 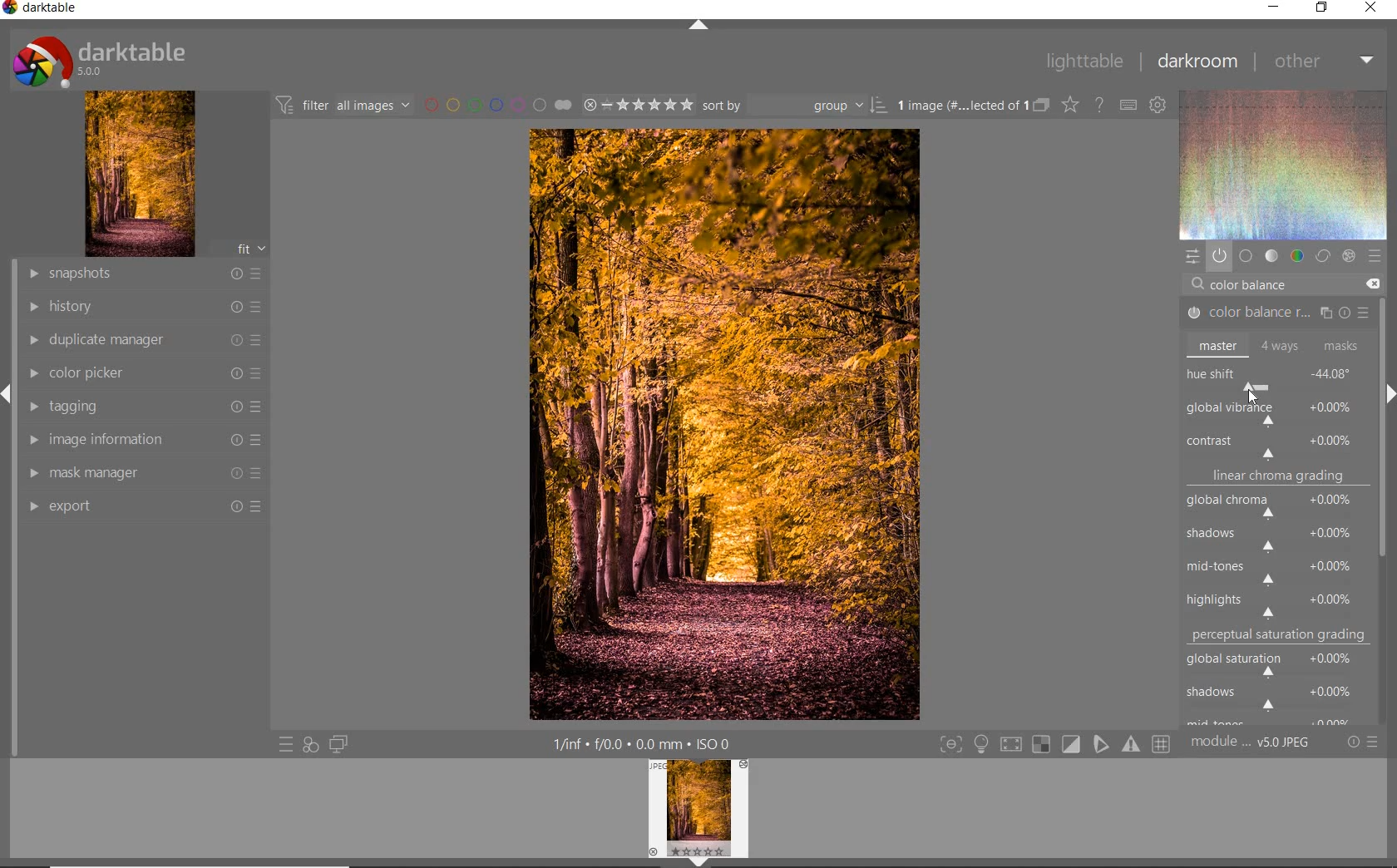 What do you see at coordinates (1219, 255) in the screenshot?
I see `show only active module` at bounding box center [1219, 255].